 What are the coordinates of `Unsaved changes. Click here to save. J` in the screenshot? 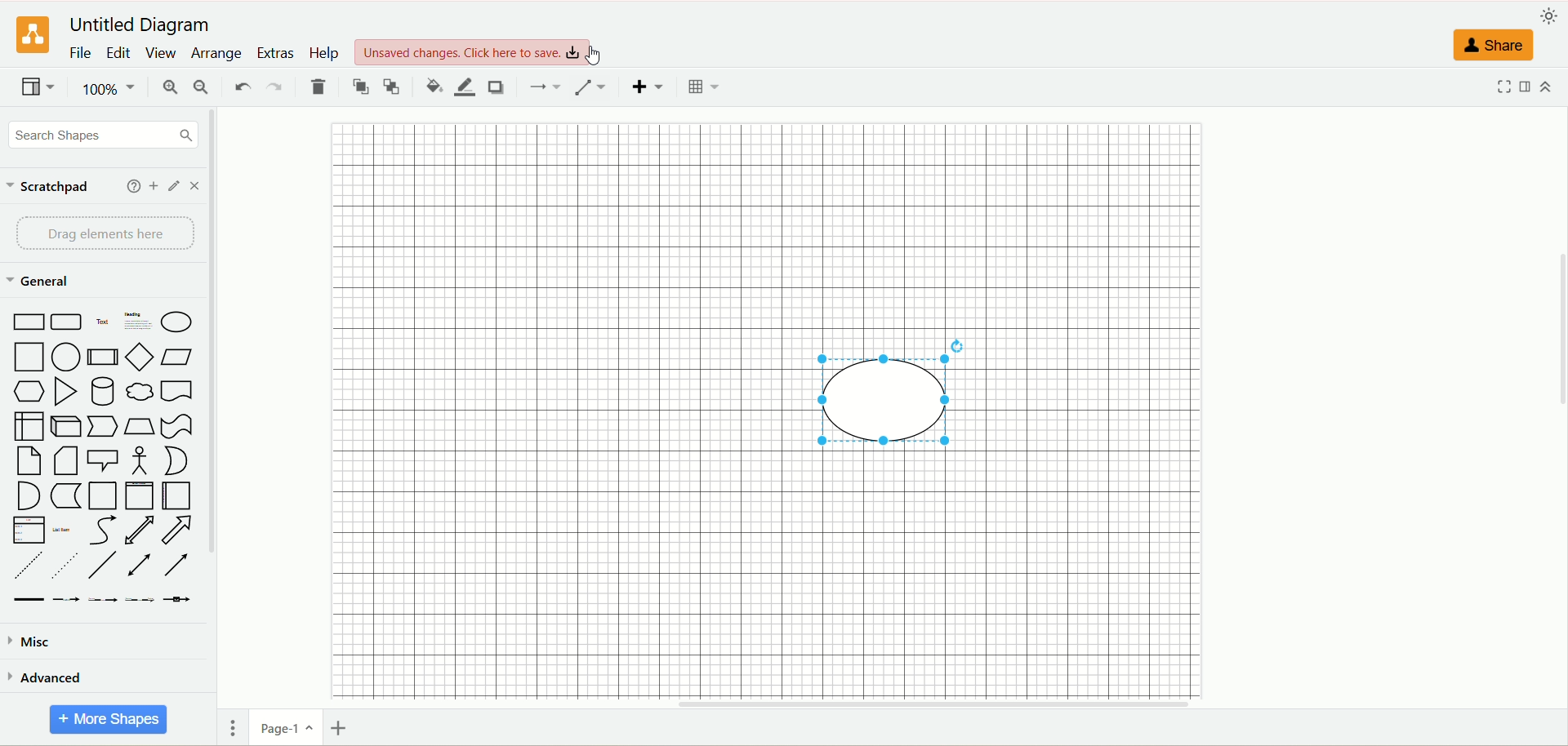 It's located at (477, 48).